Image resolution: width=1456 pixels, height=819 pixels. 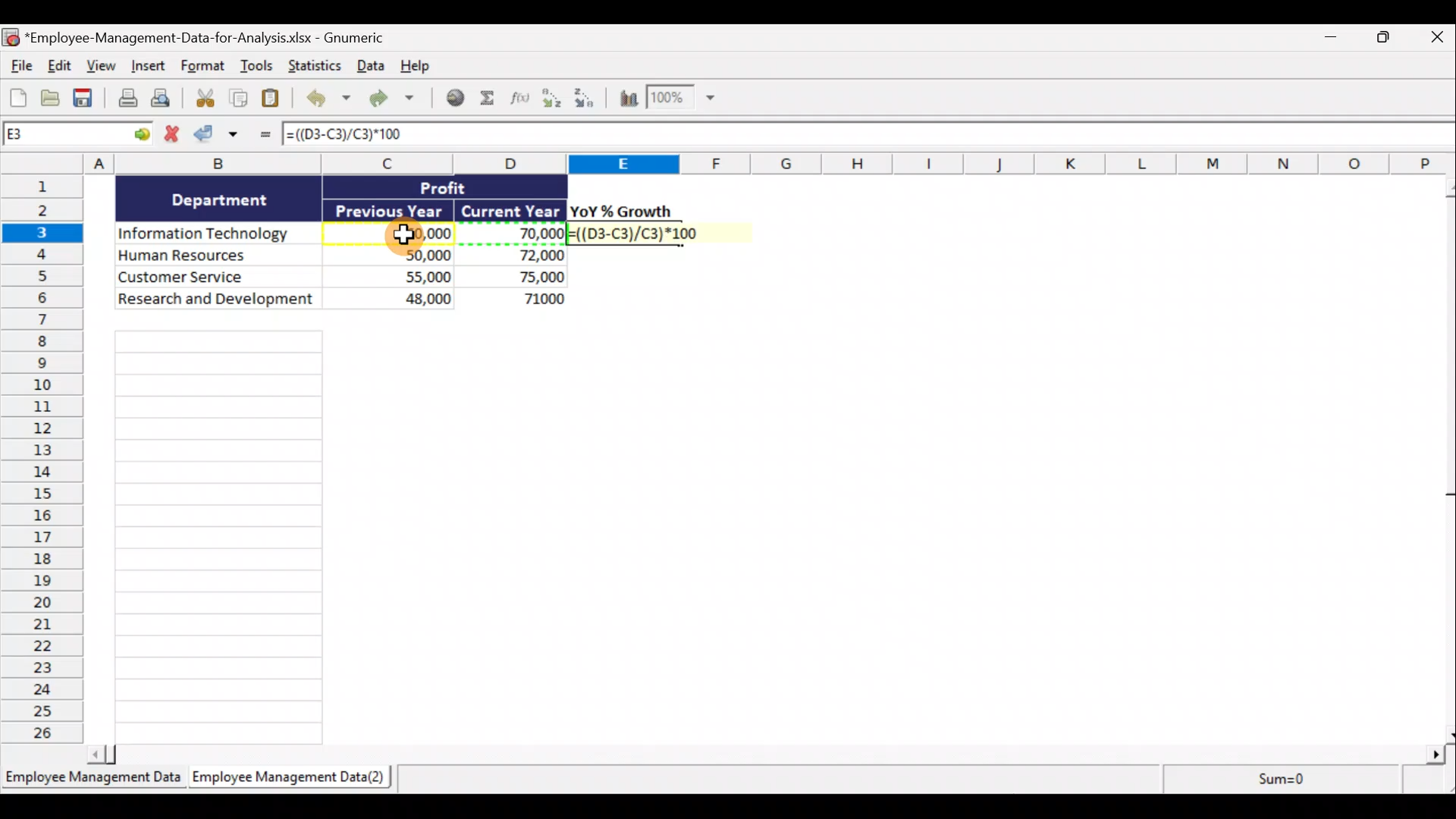 What do you see at coordinates (627, 101) in the screenshot?
I see `Insert a chart` at bounding box center [627, 101].